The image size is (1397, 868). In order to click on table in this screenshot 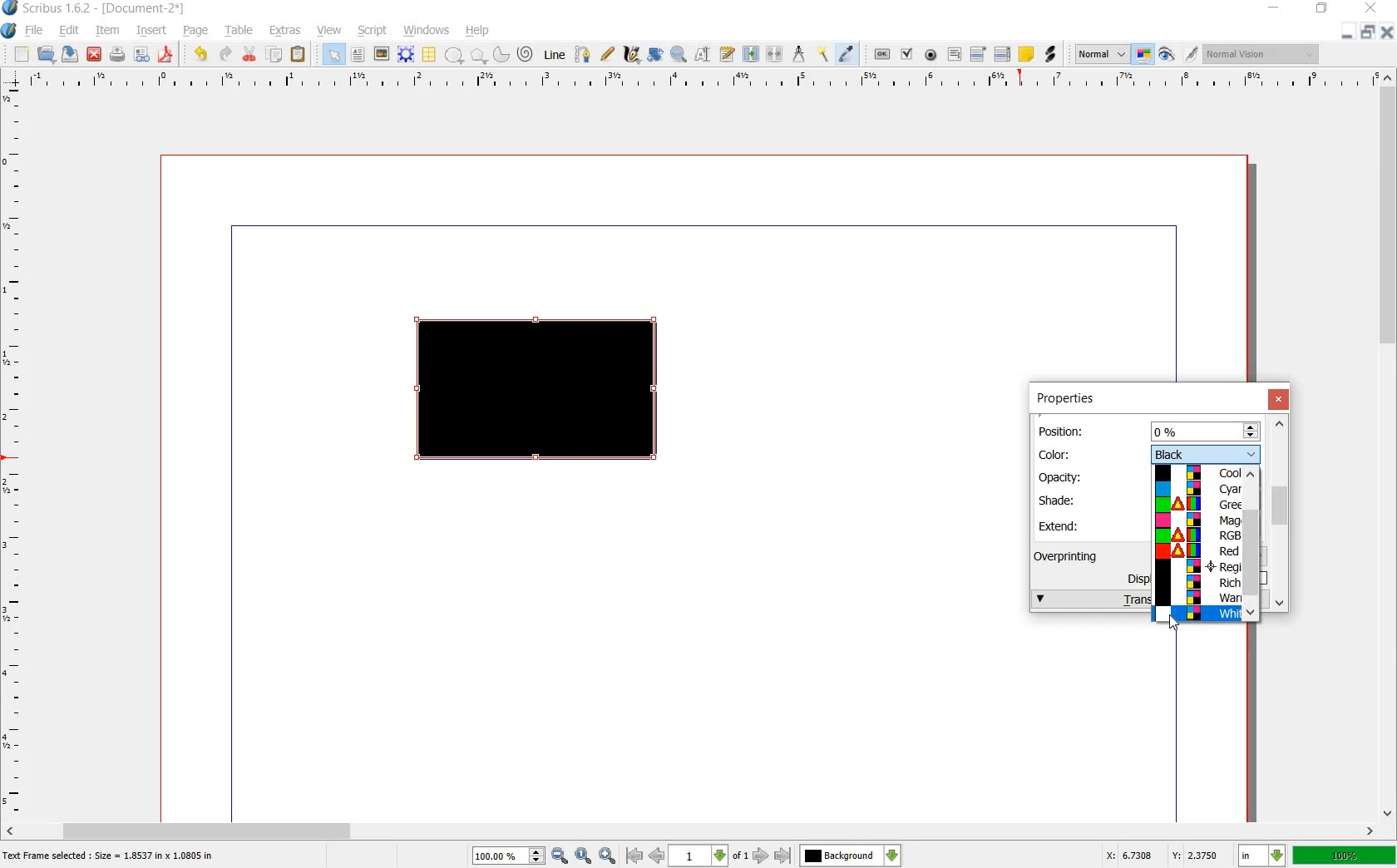, I will do `click(240, 32)`.